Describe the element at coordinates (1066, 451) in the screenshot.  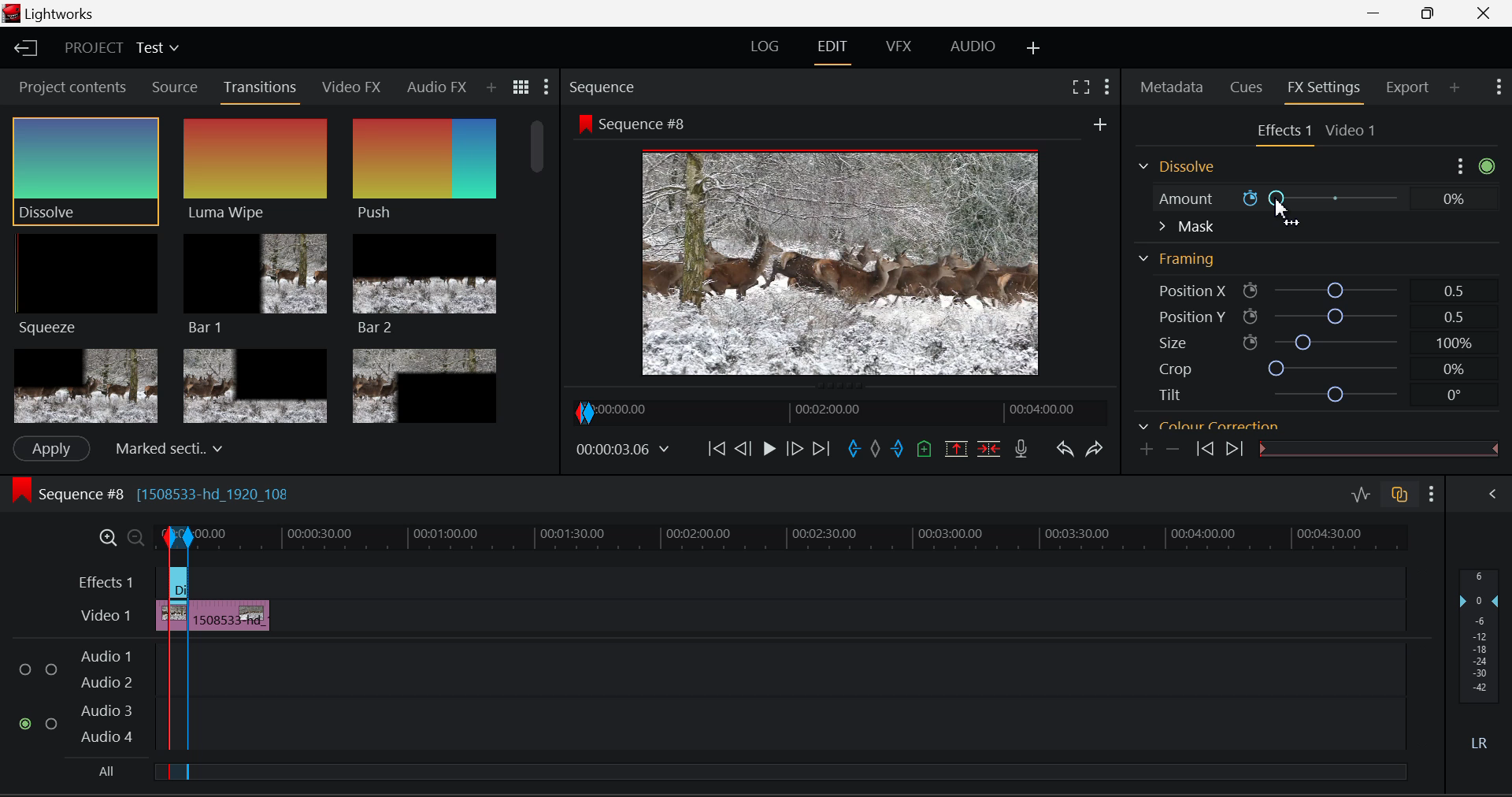
I see `Undo` at that location.